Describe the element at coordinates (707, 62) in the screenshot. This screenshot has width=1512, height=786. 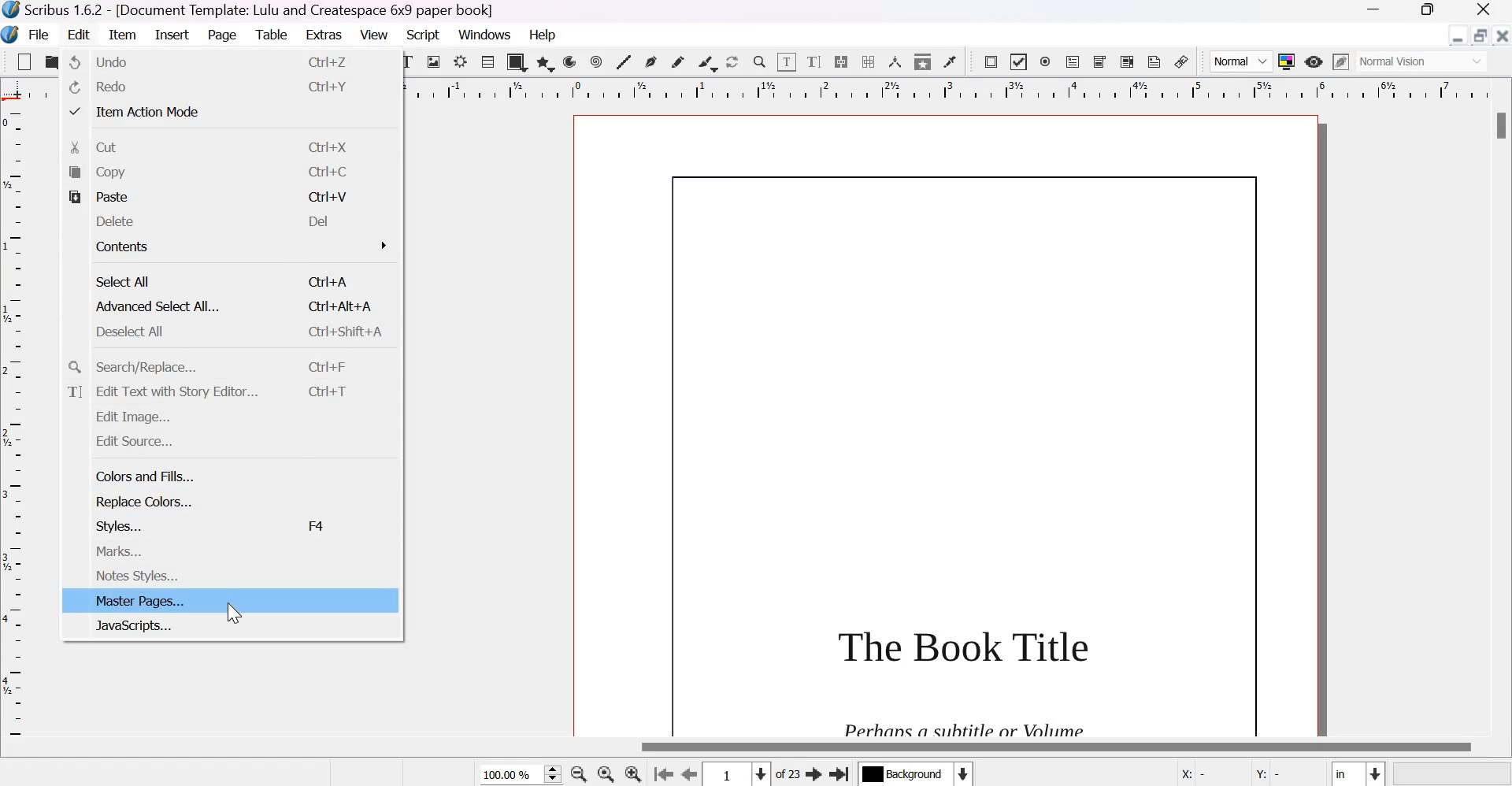
I see `Calligraphic line` at that location.